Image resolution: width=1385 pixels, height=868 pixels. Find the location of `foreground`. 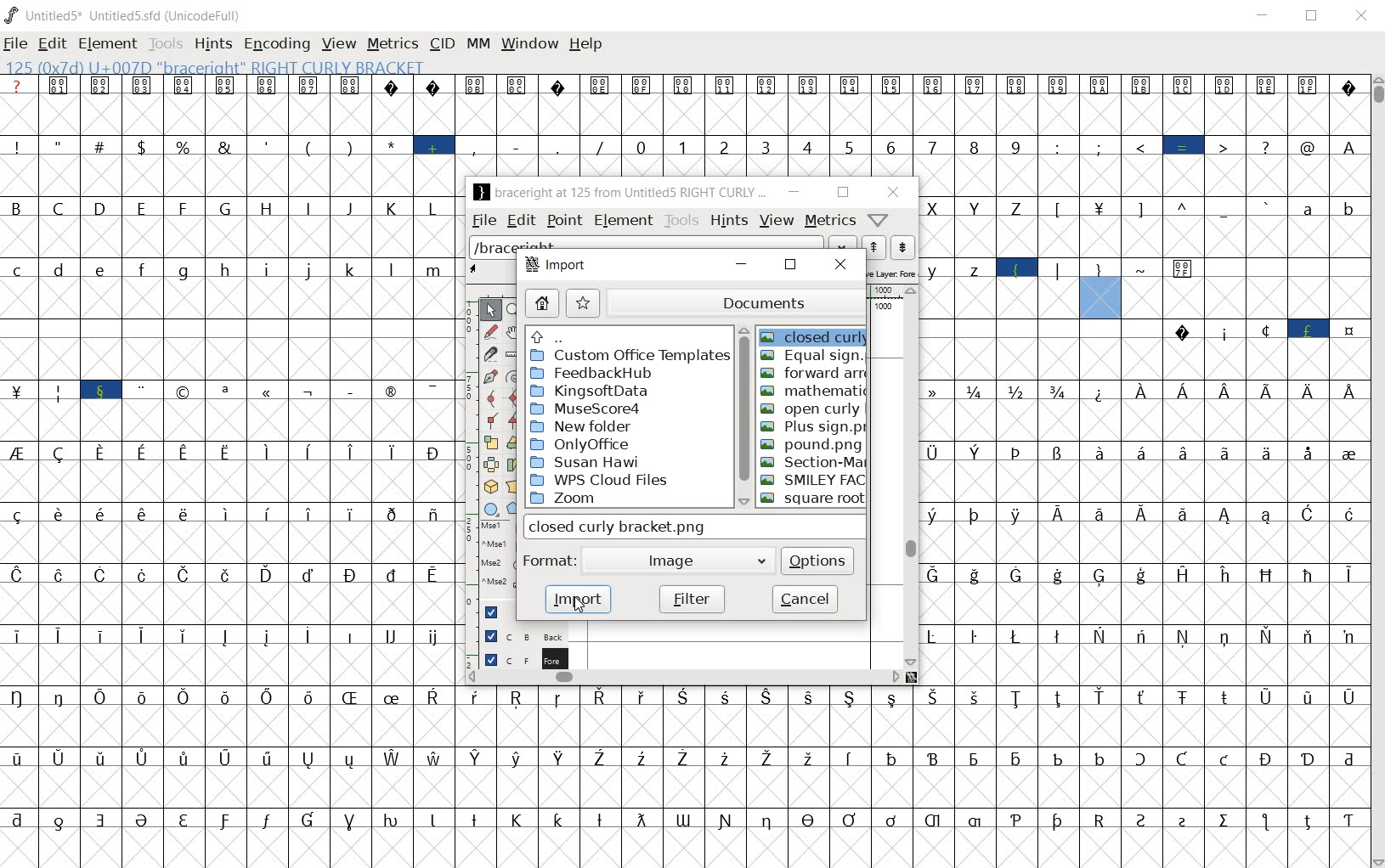

foreground is located at coordinates (517, 658).